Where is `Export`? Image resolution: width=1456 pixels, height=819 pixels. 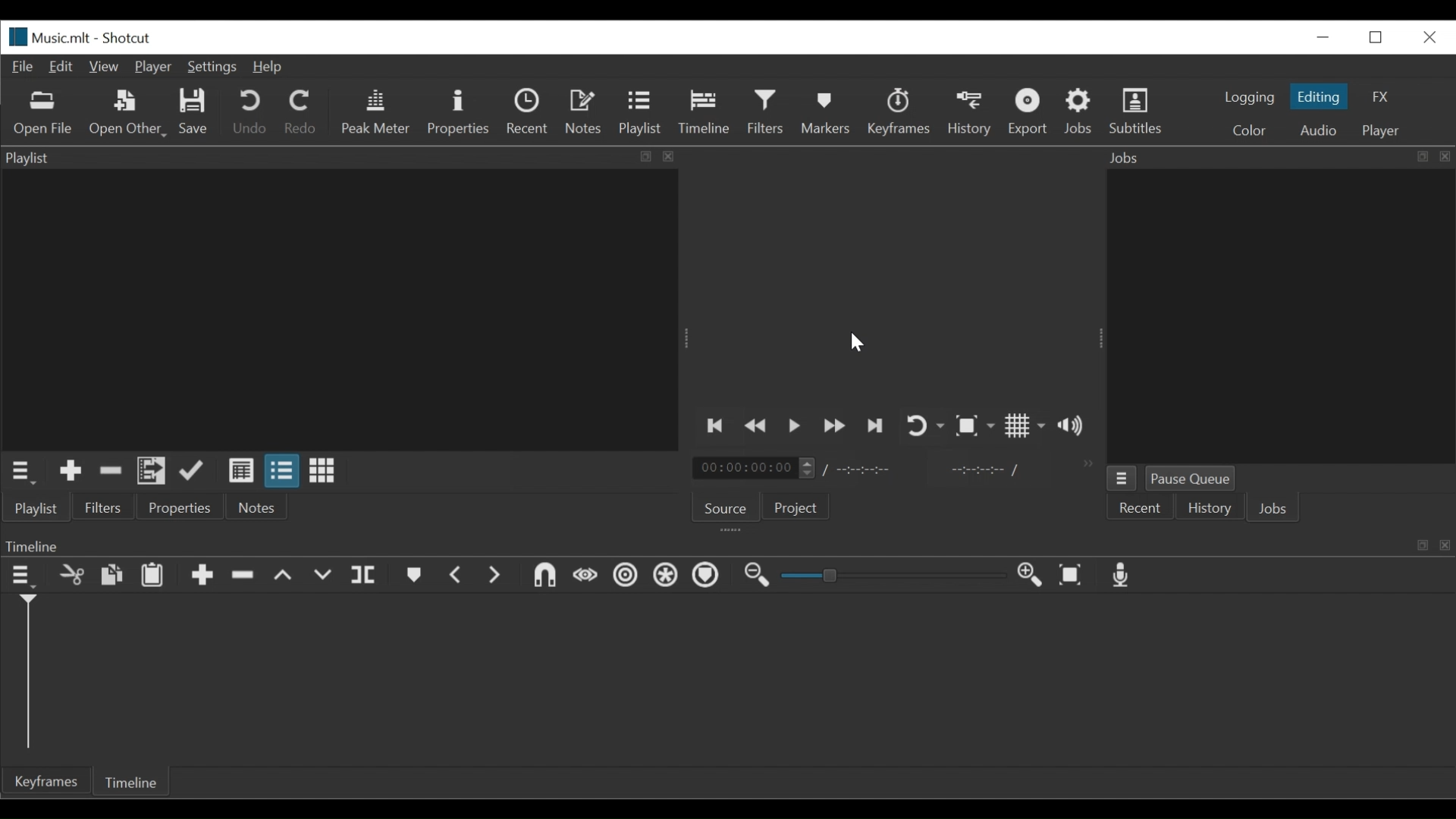
Export is located at coordinates (1028, 112).